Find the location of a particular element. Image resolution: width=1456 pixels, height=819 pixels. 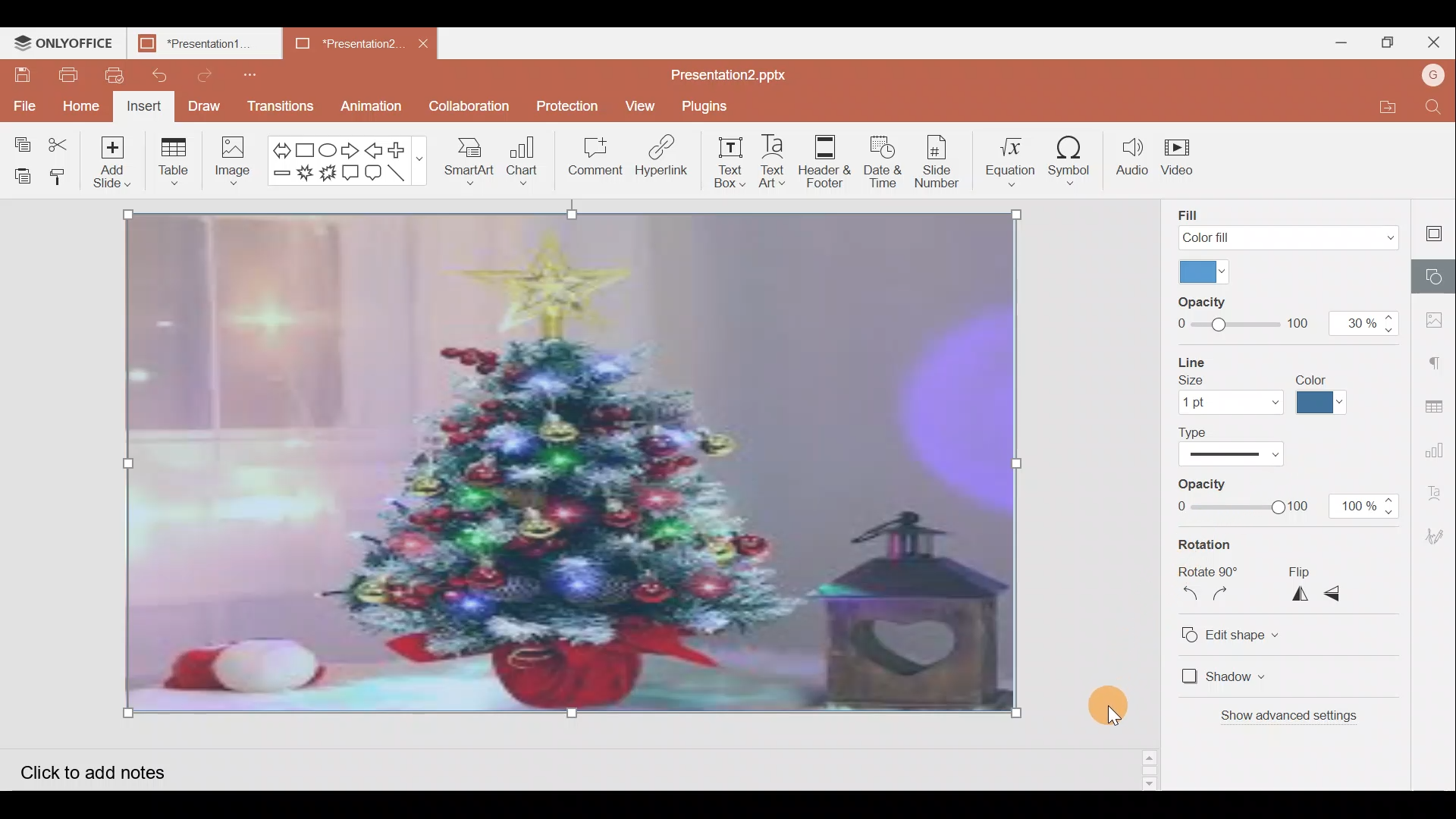

Save is located at coordinates (22, 75).